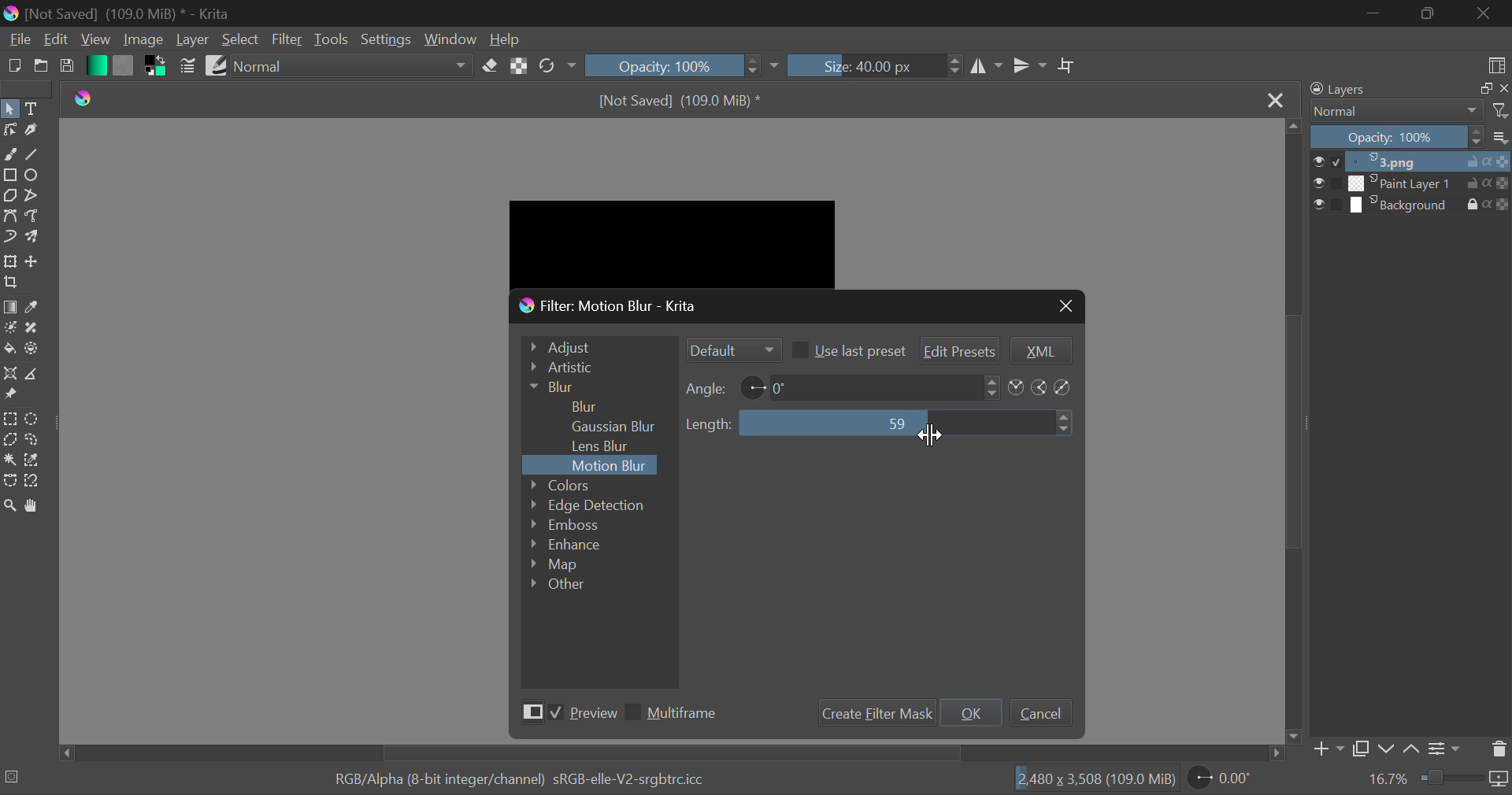  What do you see at coordinates (620, 425) in the screenshot?
I see `Gaussian Blur` at bounding box center [620, 425].